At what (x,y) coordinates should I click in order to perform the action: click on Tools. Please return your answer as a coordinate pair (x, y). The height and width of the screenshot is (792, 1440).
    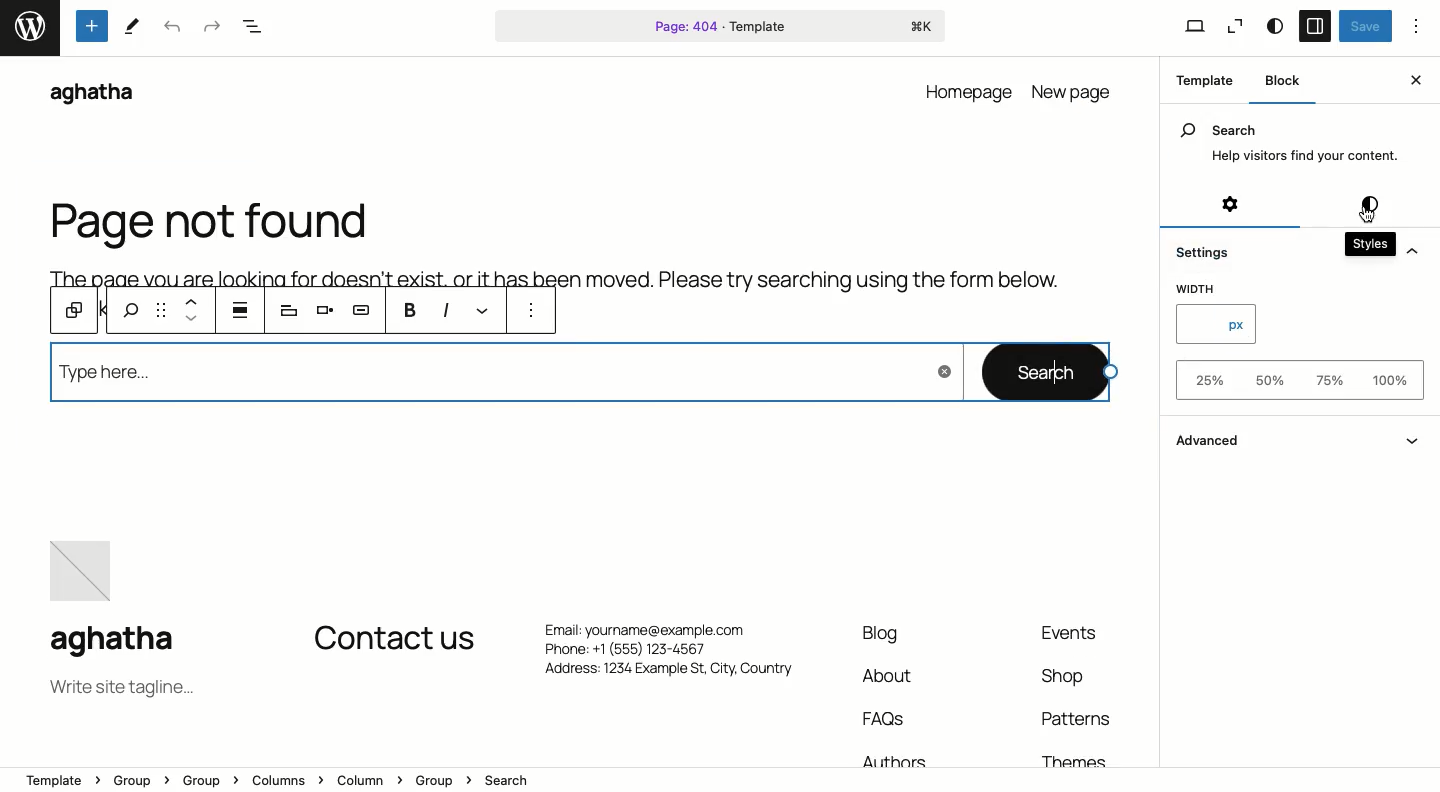
    Looking at the image, I should click on (93, 25).